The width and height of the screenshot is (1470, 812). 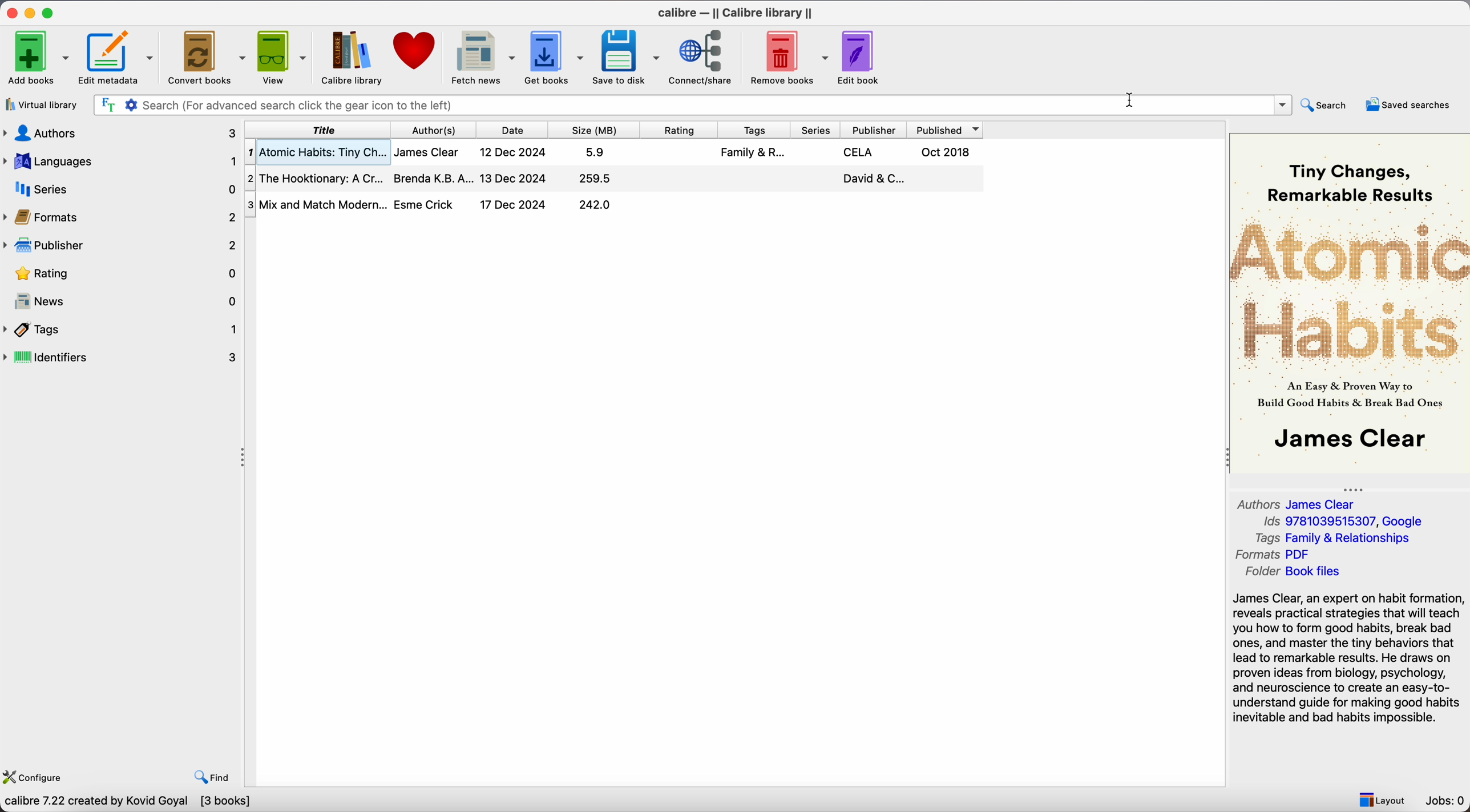 What do you see at coordinates (754, 152) in the screenshot?
I see `Family & R...` at bounding box center [754, 152].